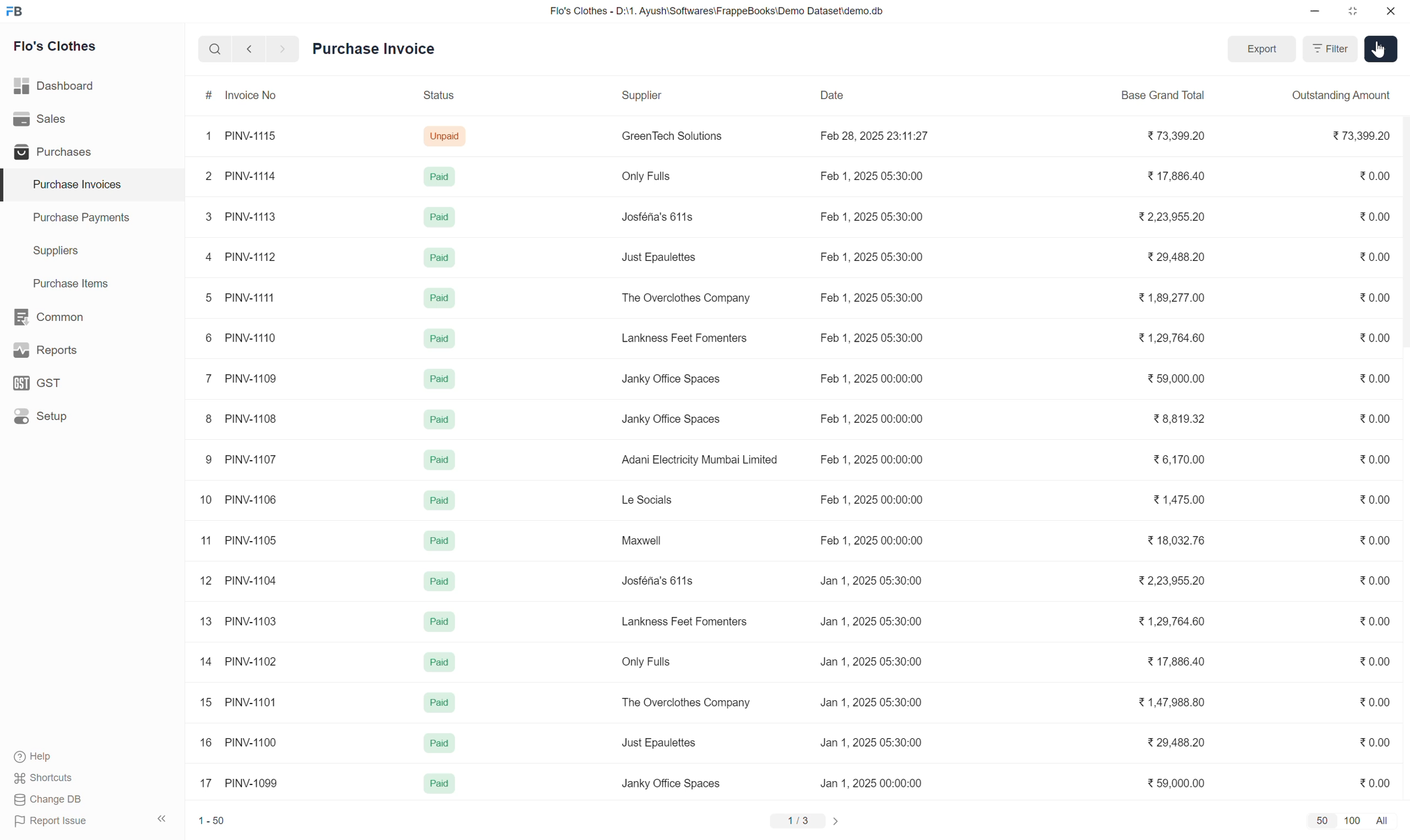 This screenshot has height=840, width=1410. What do you see at coordinates (250, 540) in the screenshot?
I see `PINV-1105` at bounding box center [250, 540].